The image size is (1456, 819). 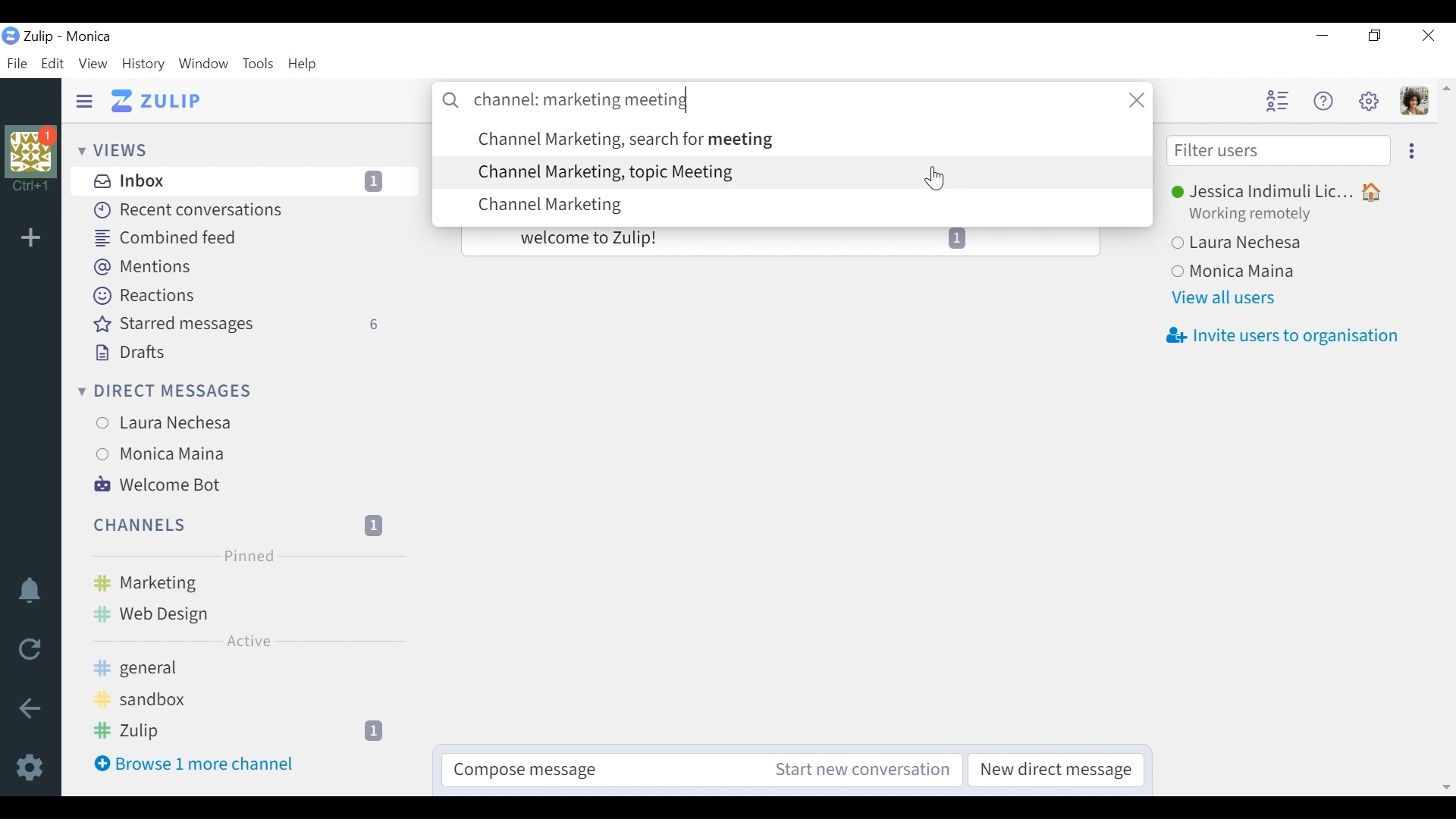 What do you see at coordinates (35, 243) in the screenshot?
I see `add organisation` at bounding box center [35, 243].